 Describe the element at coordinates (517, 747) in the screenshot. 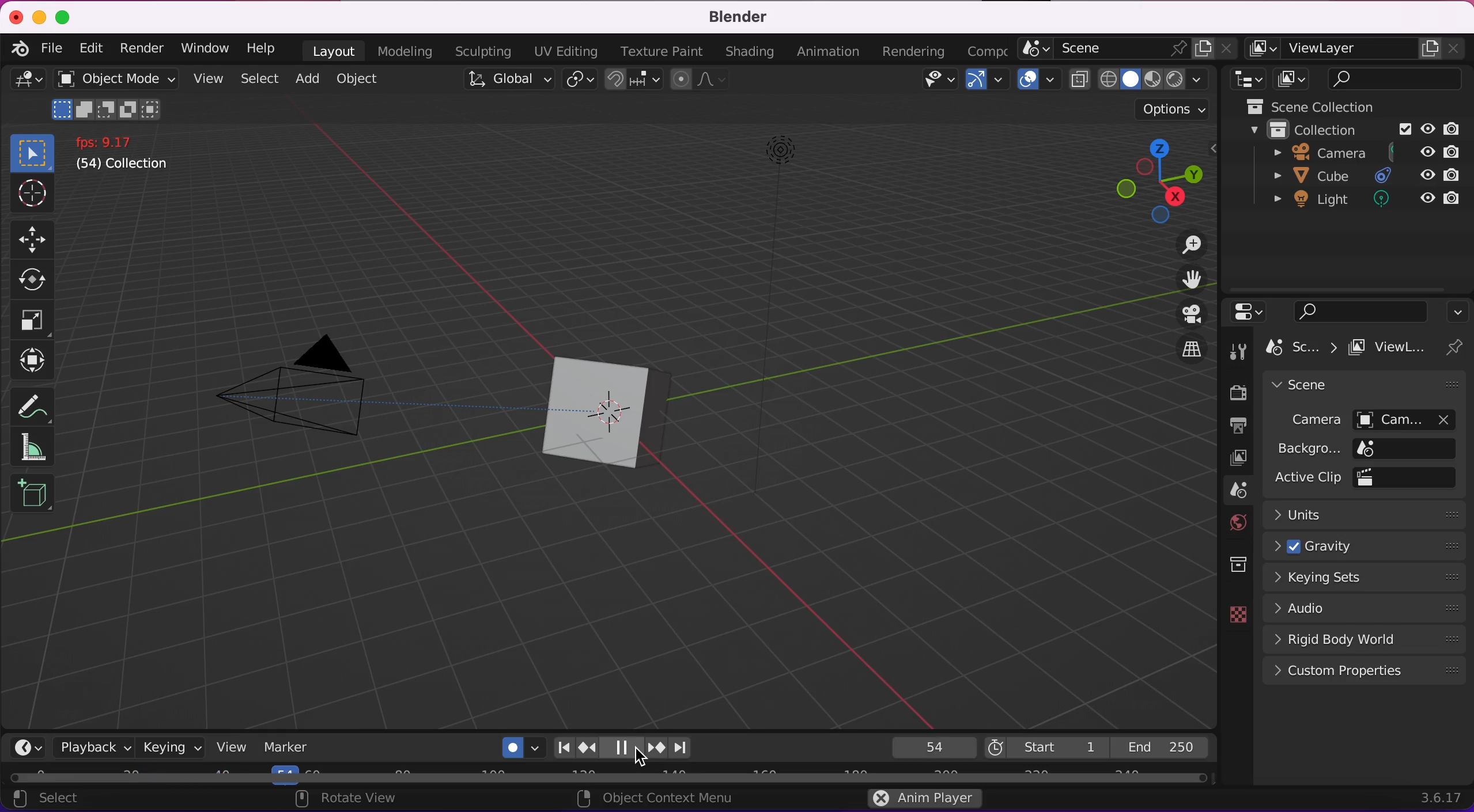

I see `auto keying` at that location.